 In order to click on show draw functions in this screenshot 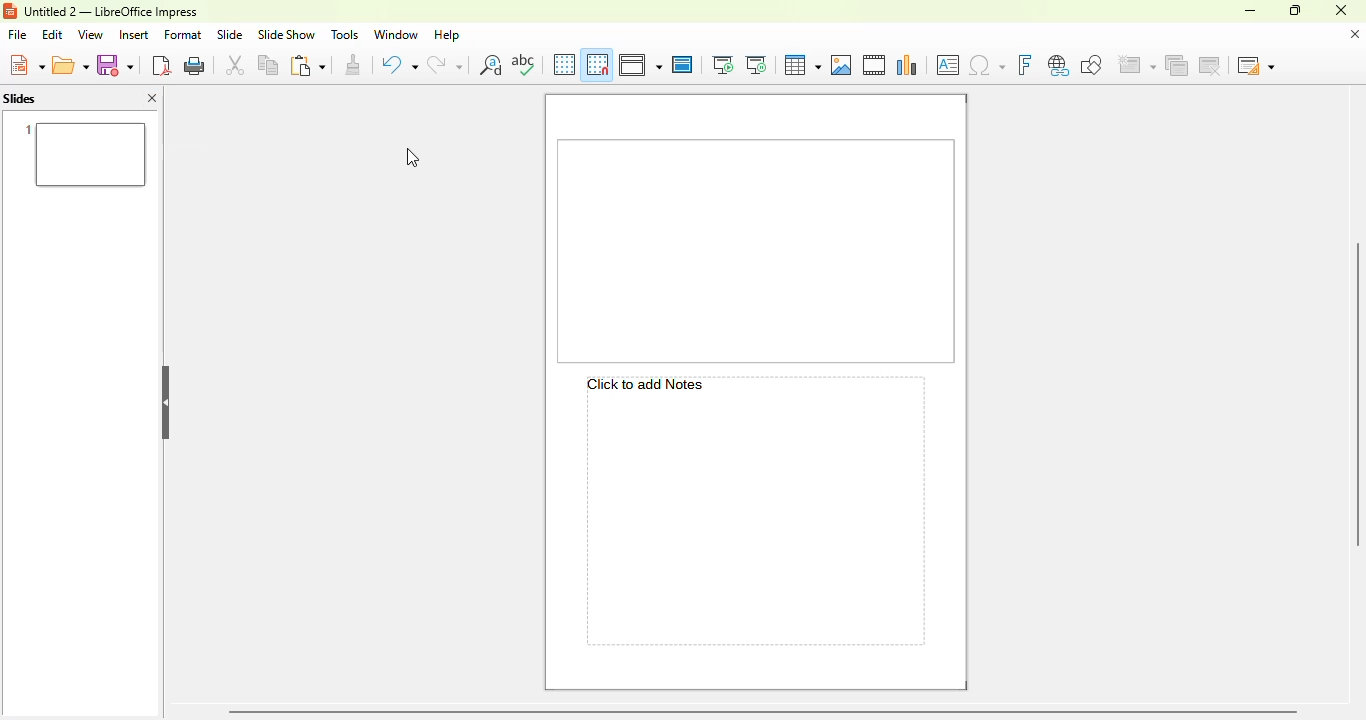, I will do `click(1092, 64)`.